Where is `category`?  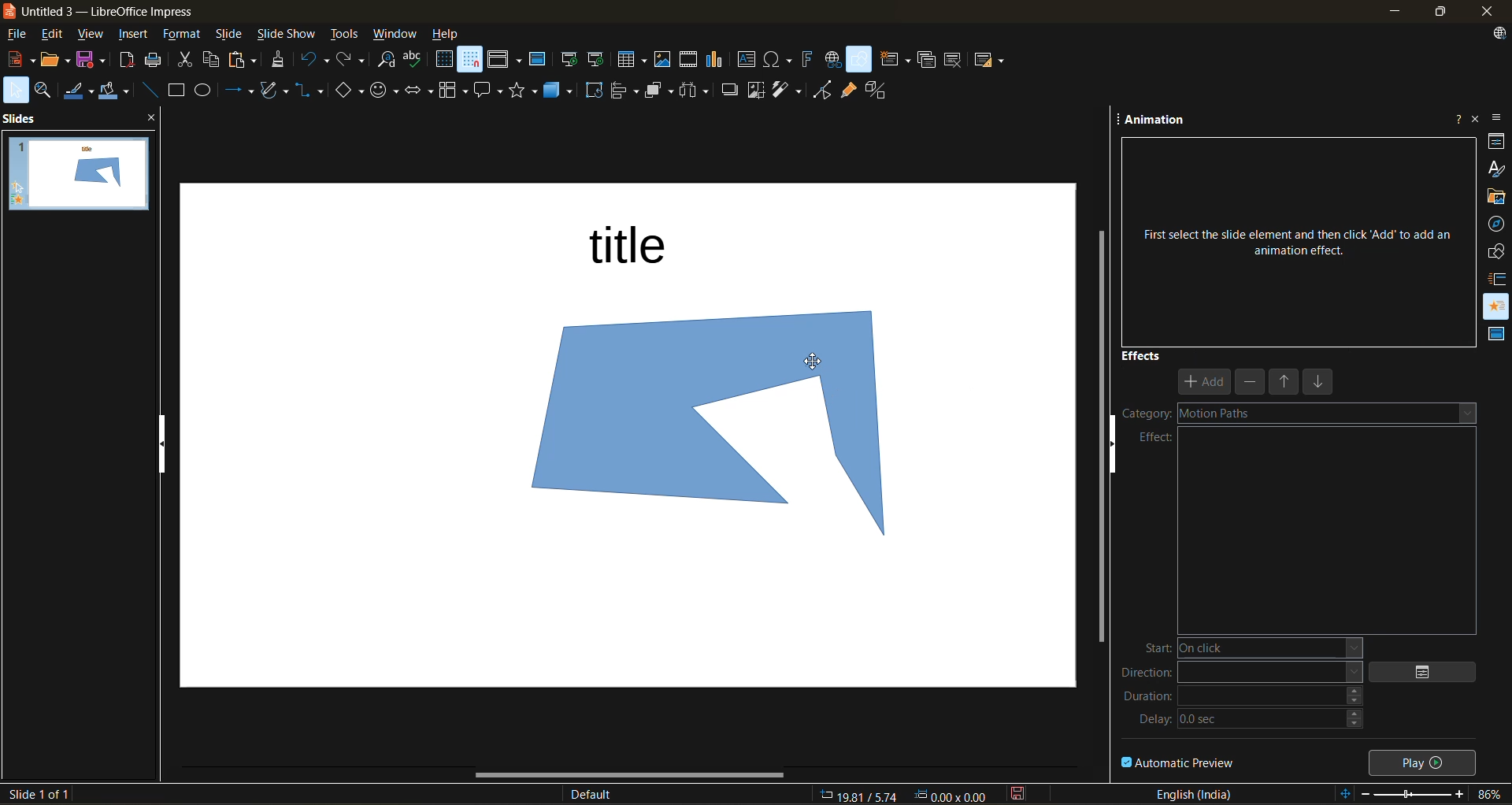 category is located at coordinates (1144, 417).